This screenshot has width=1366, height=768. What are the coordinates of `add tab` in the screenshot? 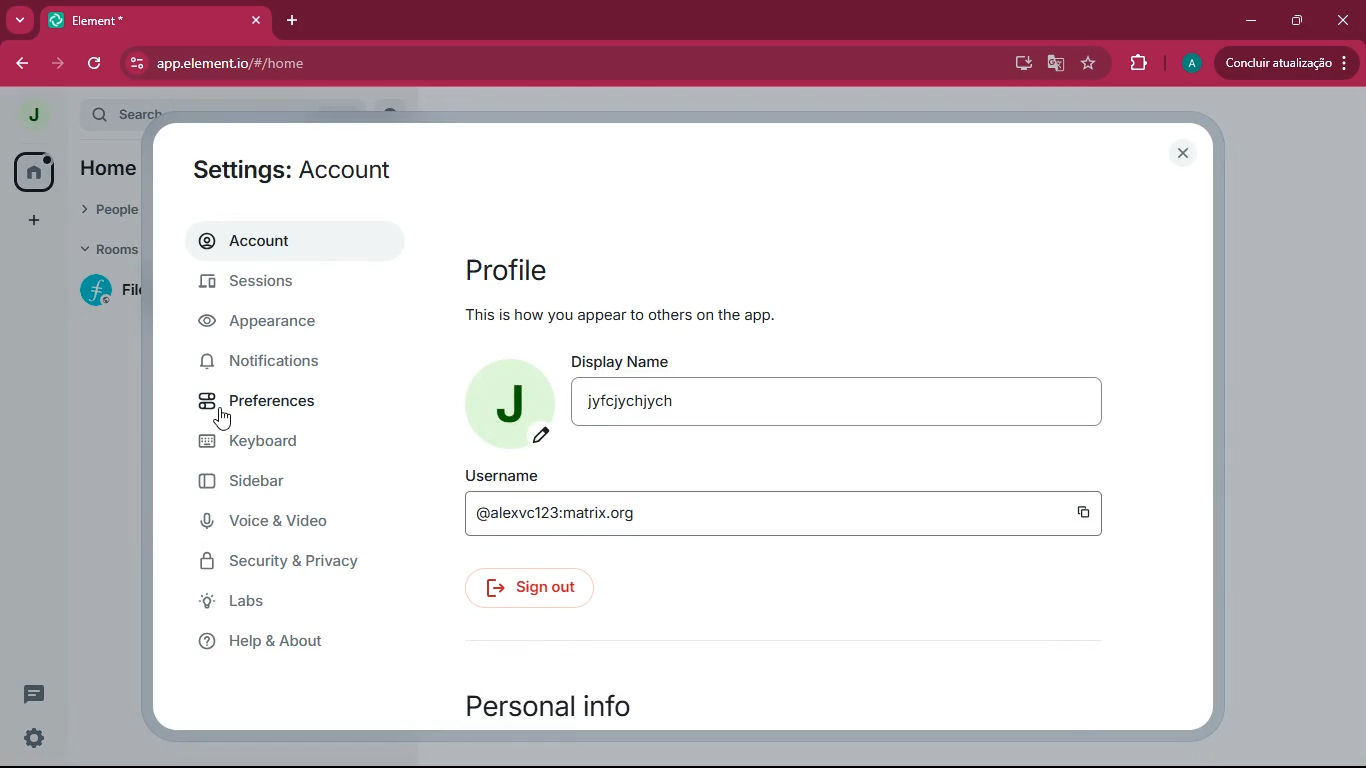 It's located at (289, 21).